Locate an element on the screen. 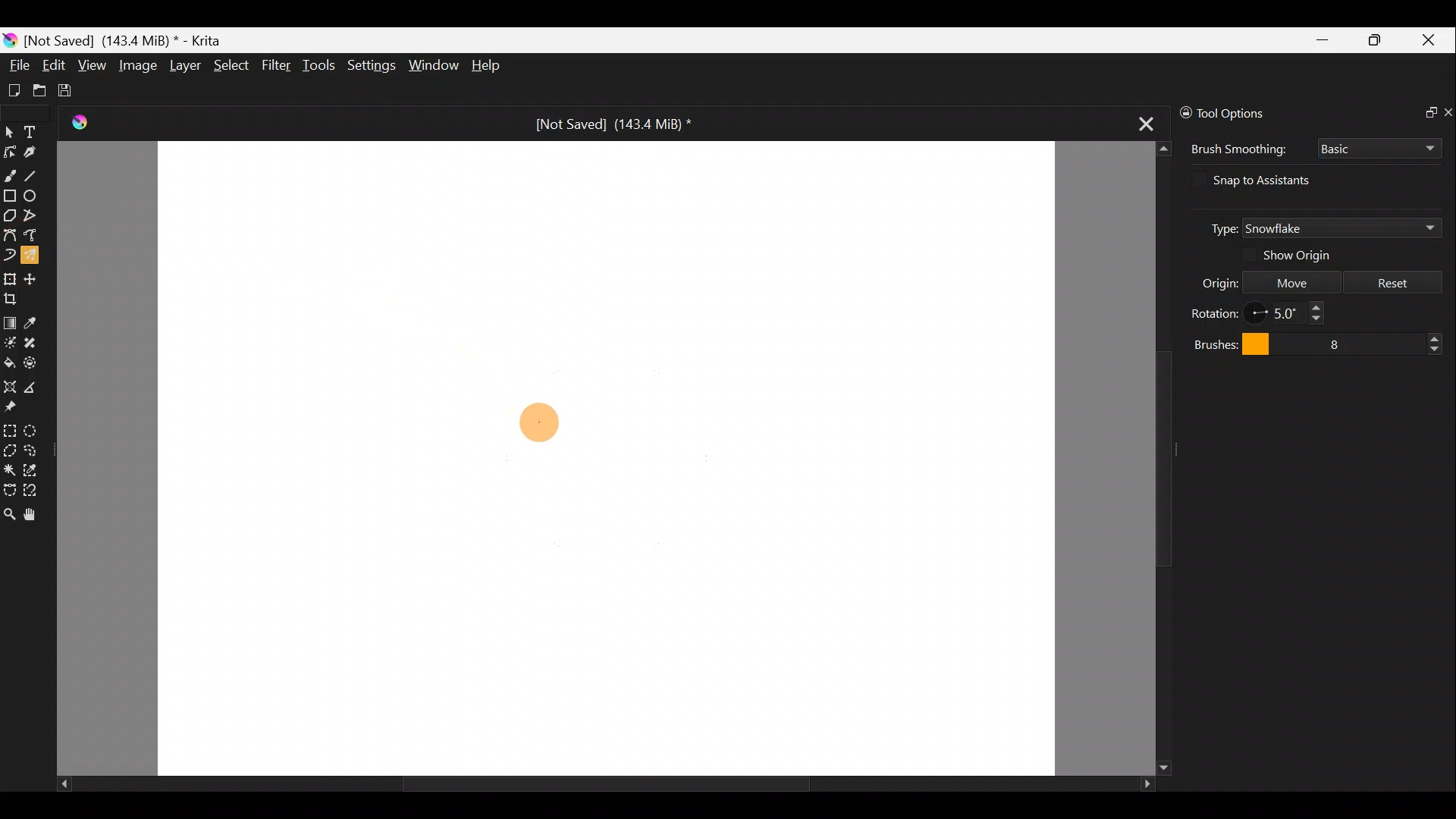 Image resolution: width=1456 pixels, height=819 pixels. Tool options is located at coordinates (1248, 113).